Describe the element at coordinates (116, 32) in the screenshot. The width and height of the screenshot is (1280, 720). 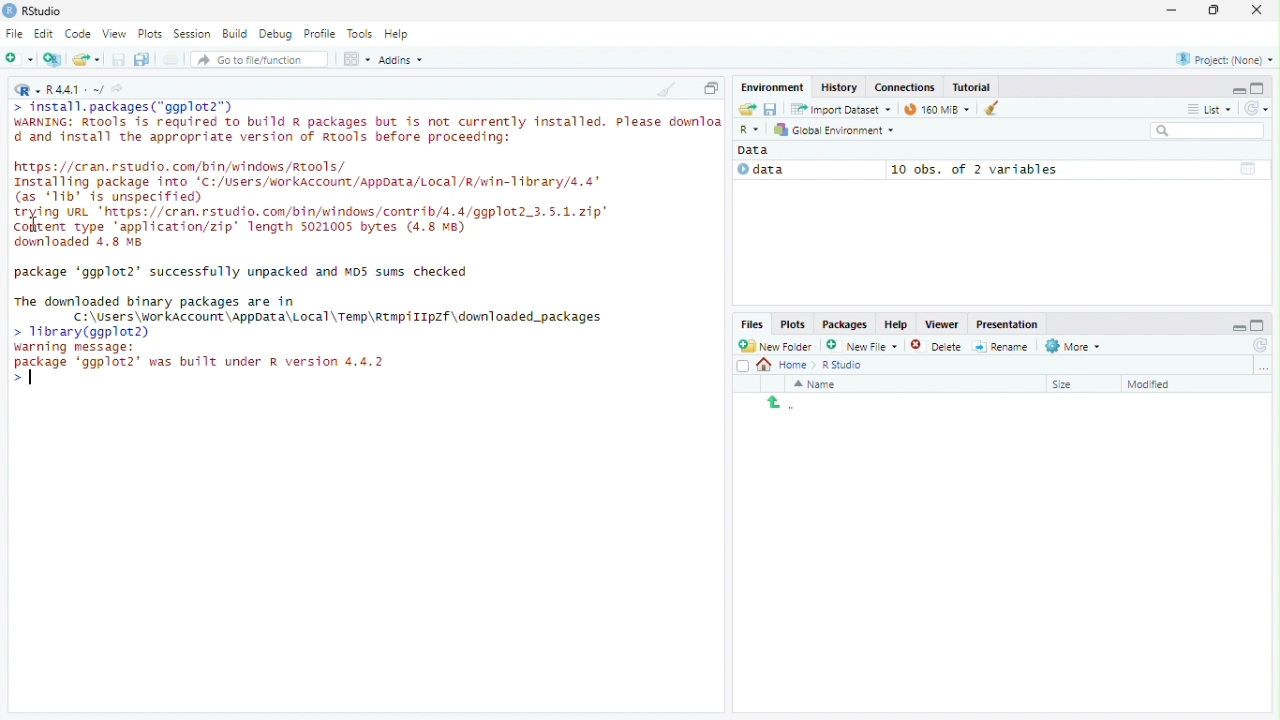
I see `View` at that location.